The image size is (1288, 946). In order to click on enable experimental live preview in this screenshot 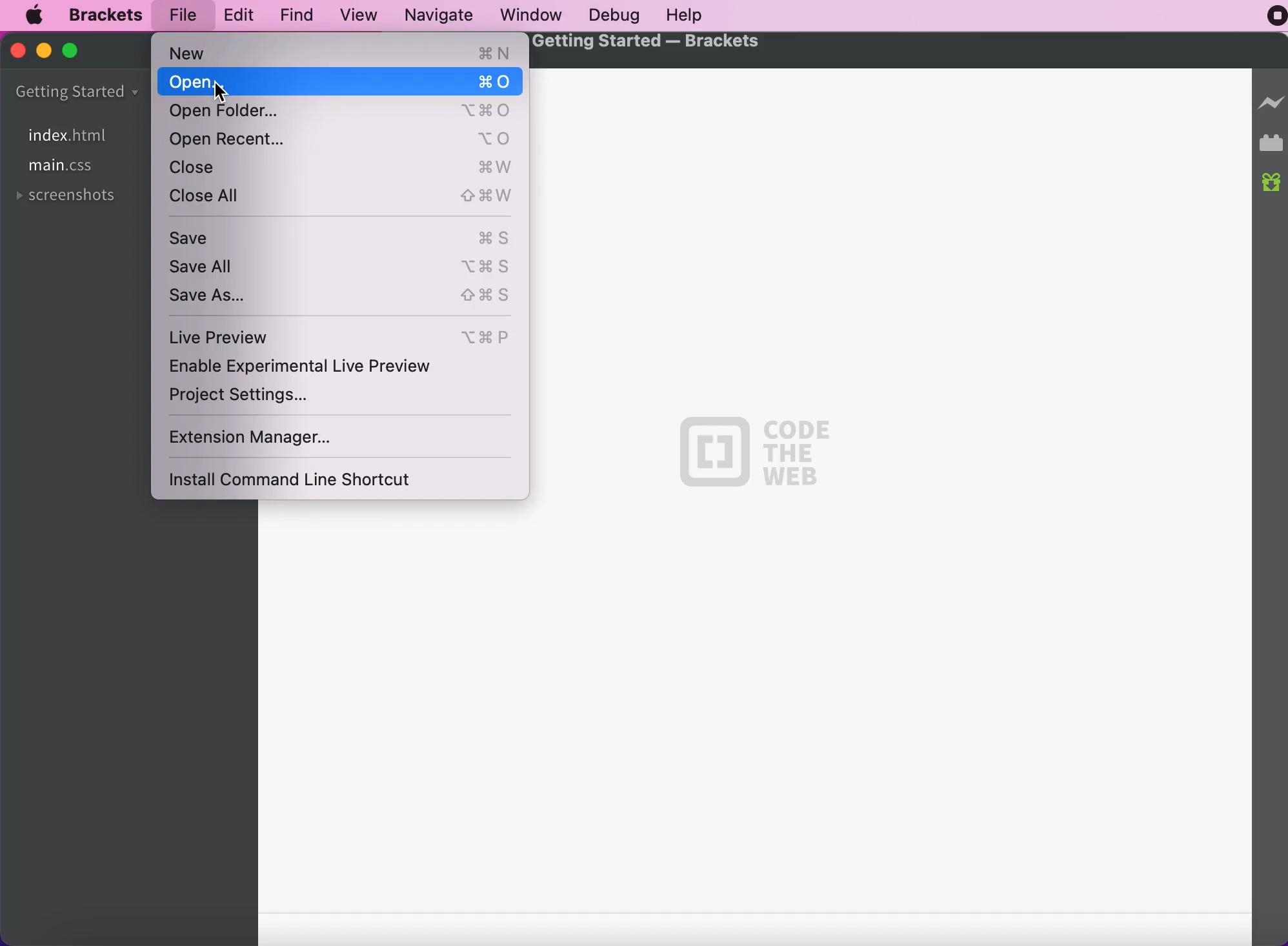, I will do `click(312, 367)`.